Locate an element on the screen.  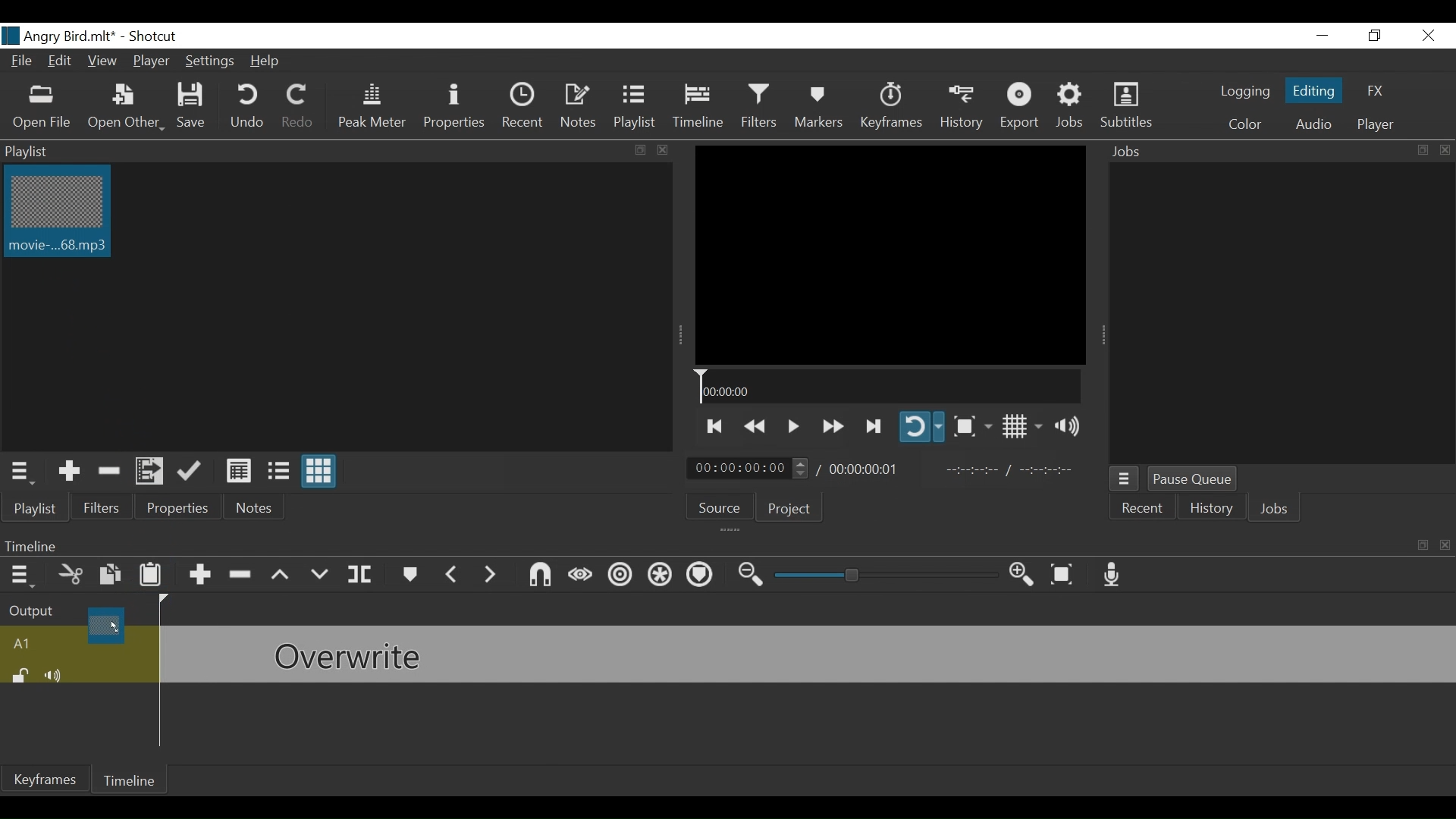
Properties is located at coordinates (457, 105).